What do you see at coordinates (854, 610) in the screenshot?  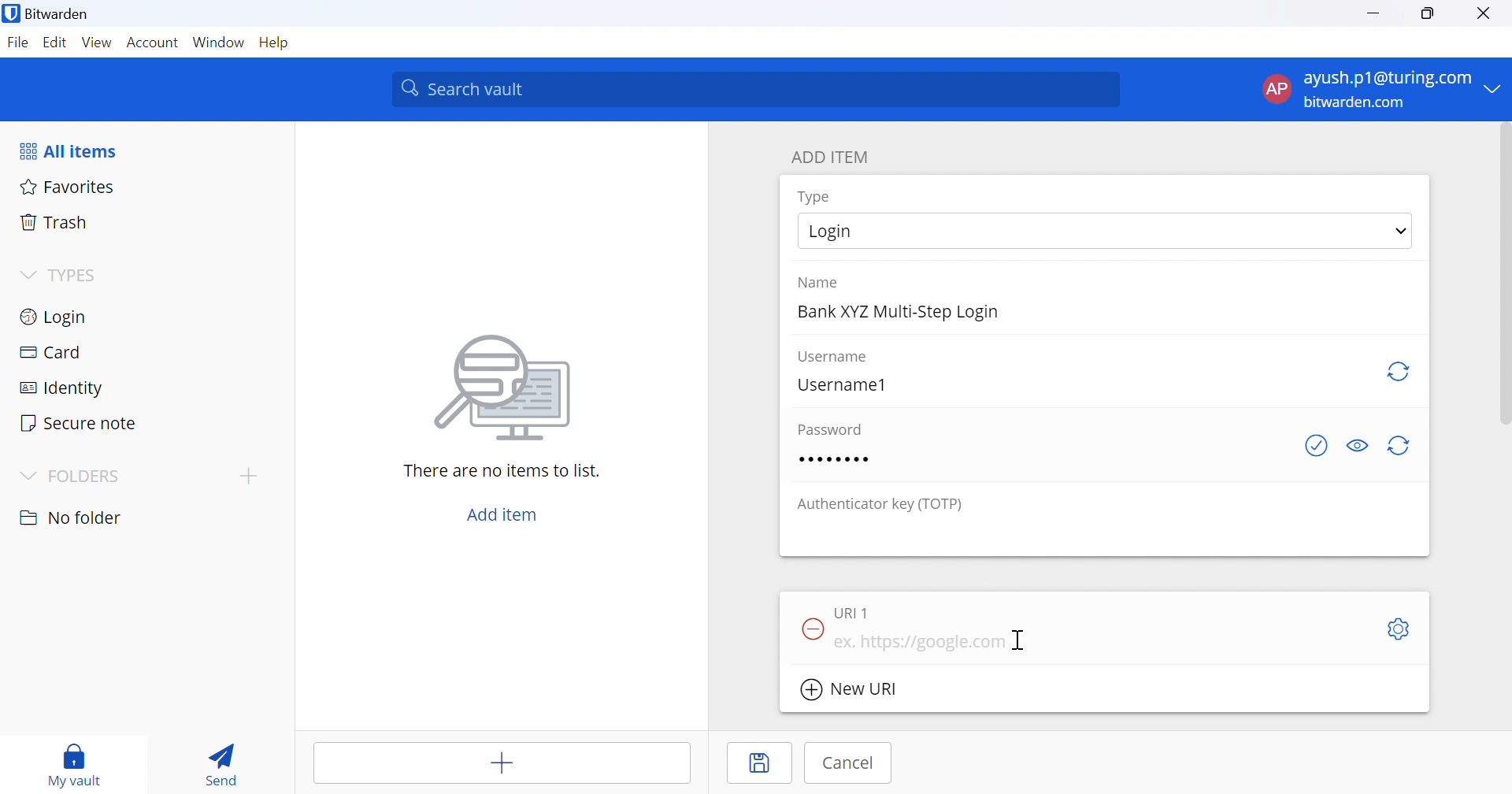 I see `URI 1` at bounding box center [854, 610].